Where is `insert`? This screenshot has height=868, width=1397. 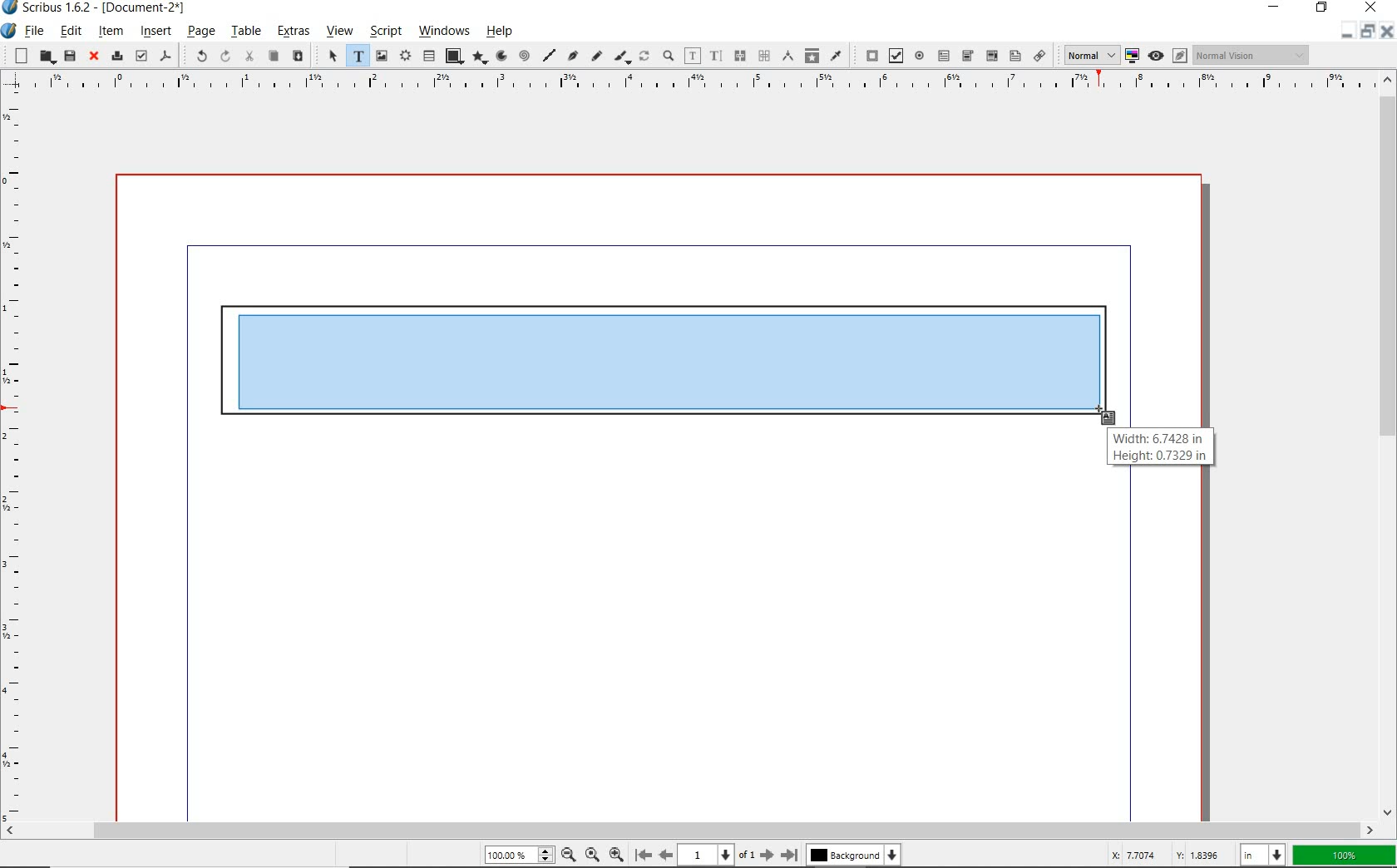 insert is located at coordinates (155, 32).